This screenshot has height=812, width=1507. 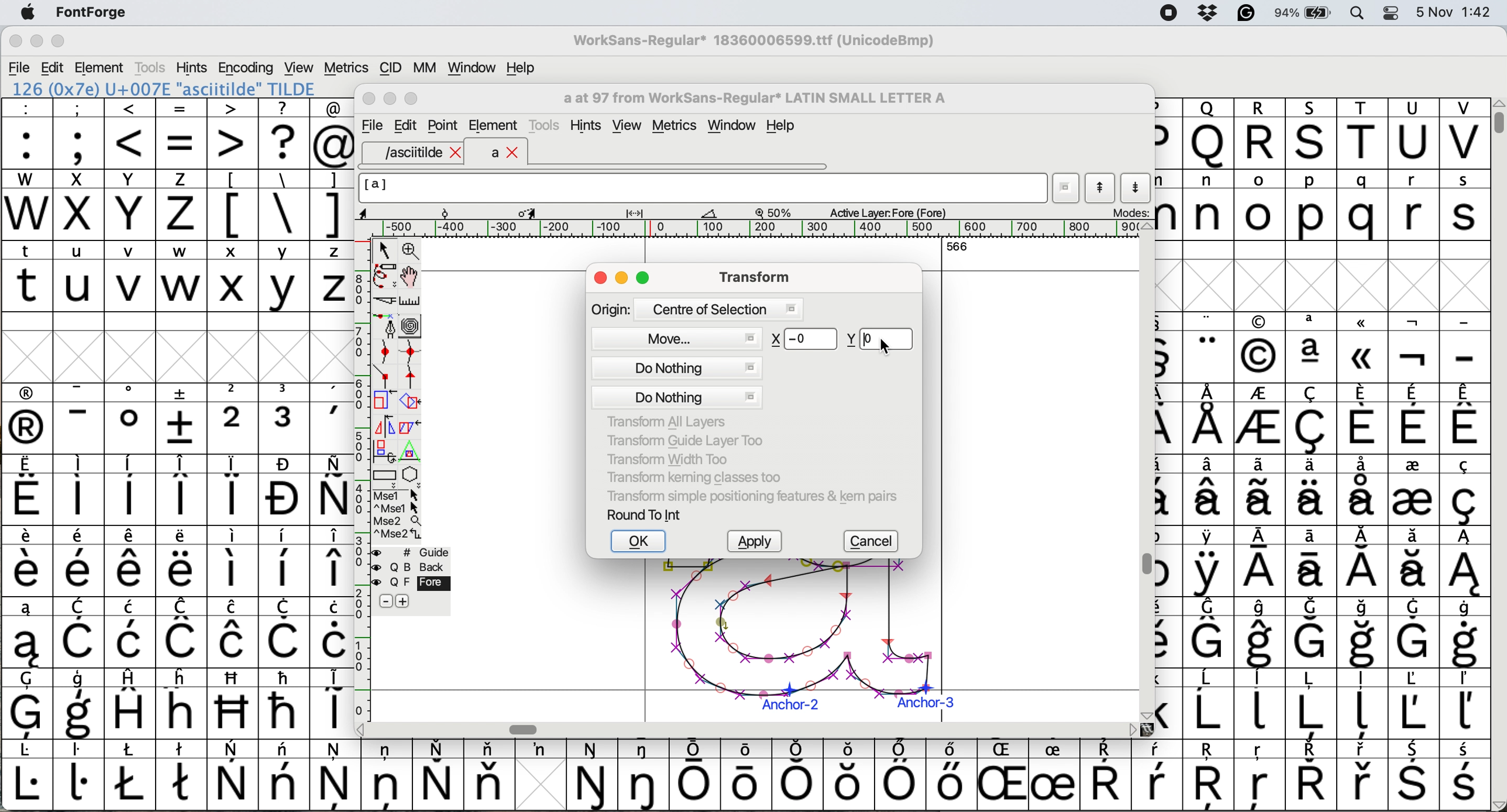 I want to click on fore, so click(x=412, y=583).